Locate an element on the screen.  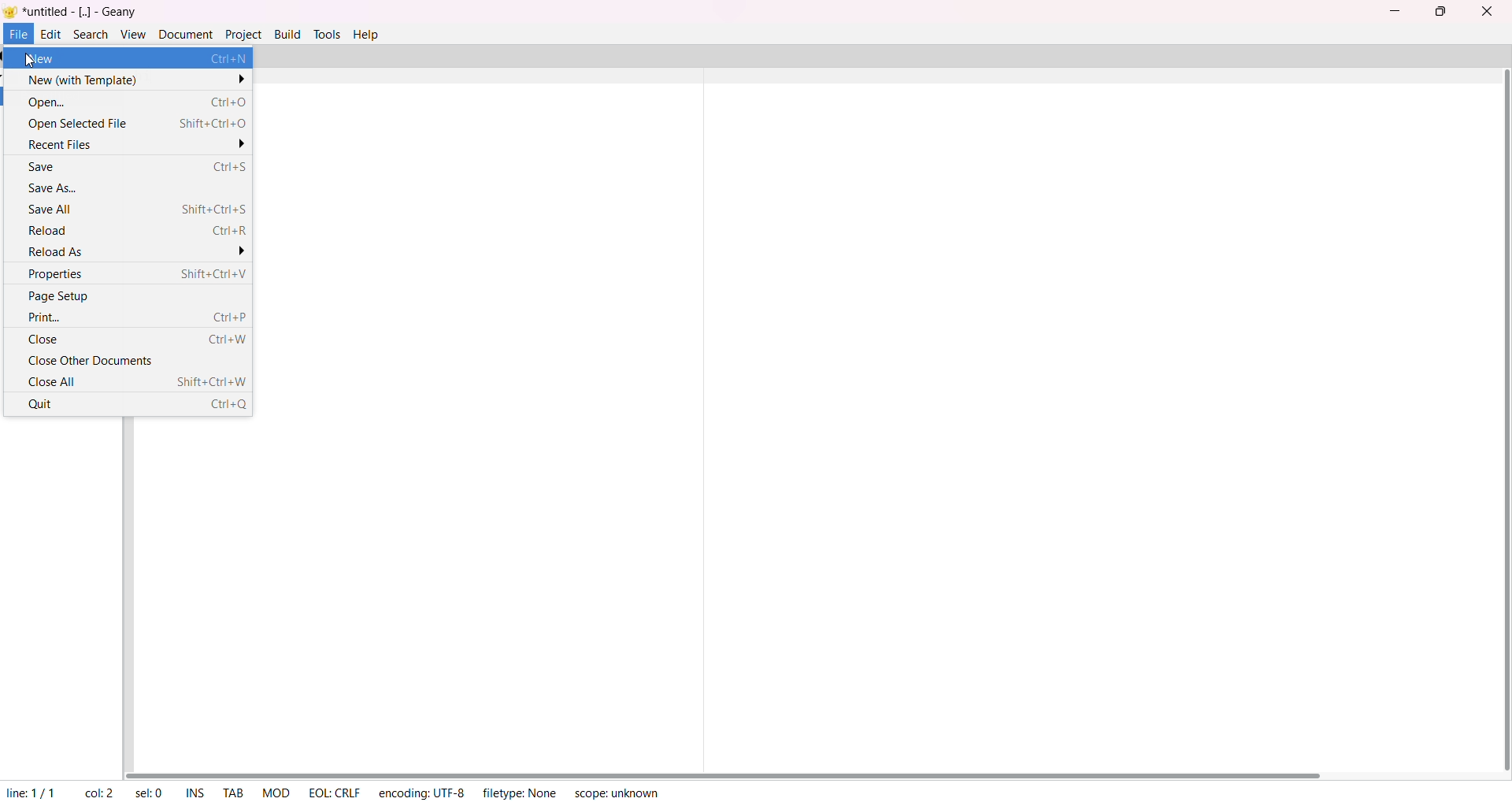
save all Shift+Ctrl+S is located at coordinates (134, 208).